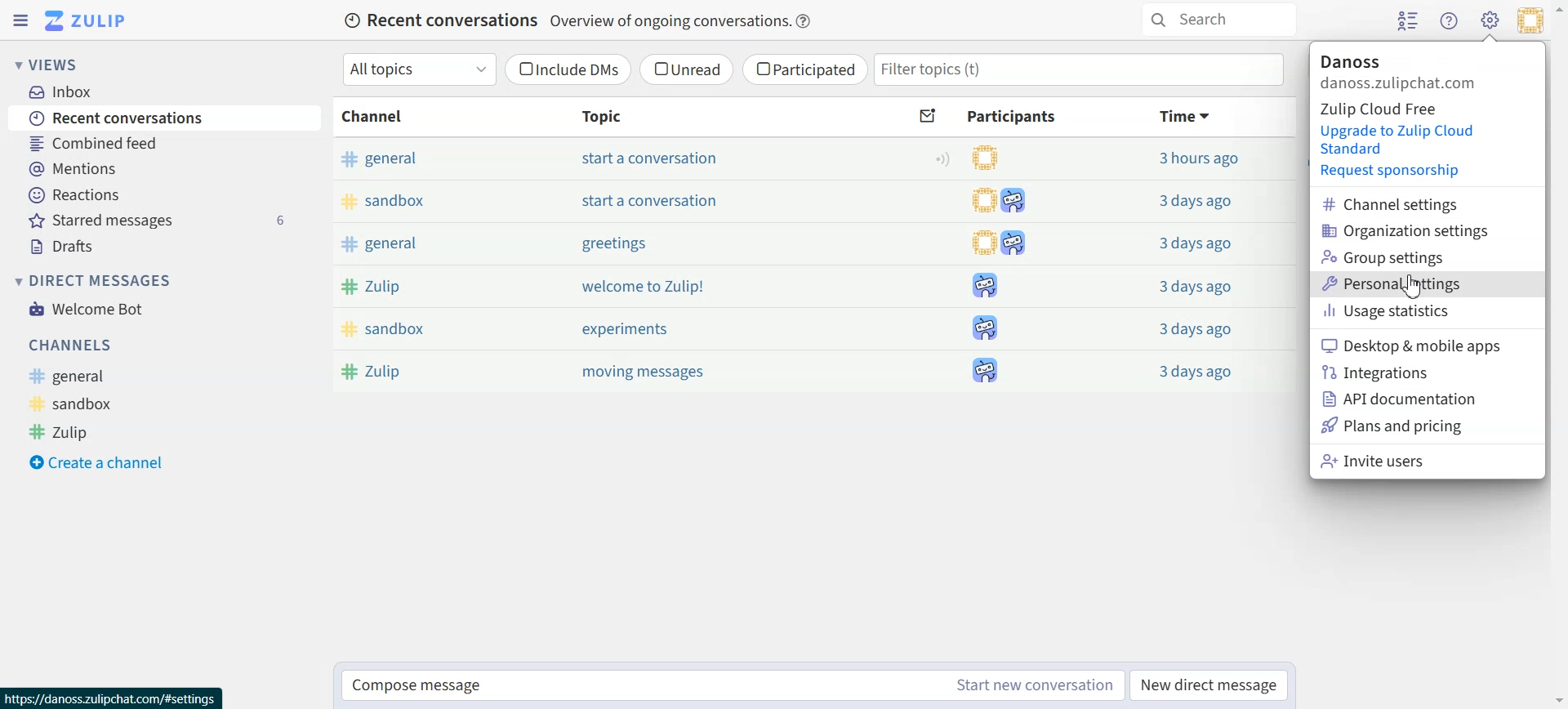  What do you see at coordinates (1192, 372) in the screenshot?
I see `3 days ago` at bounding box center [1192, 372].